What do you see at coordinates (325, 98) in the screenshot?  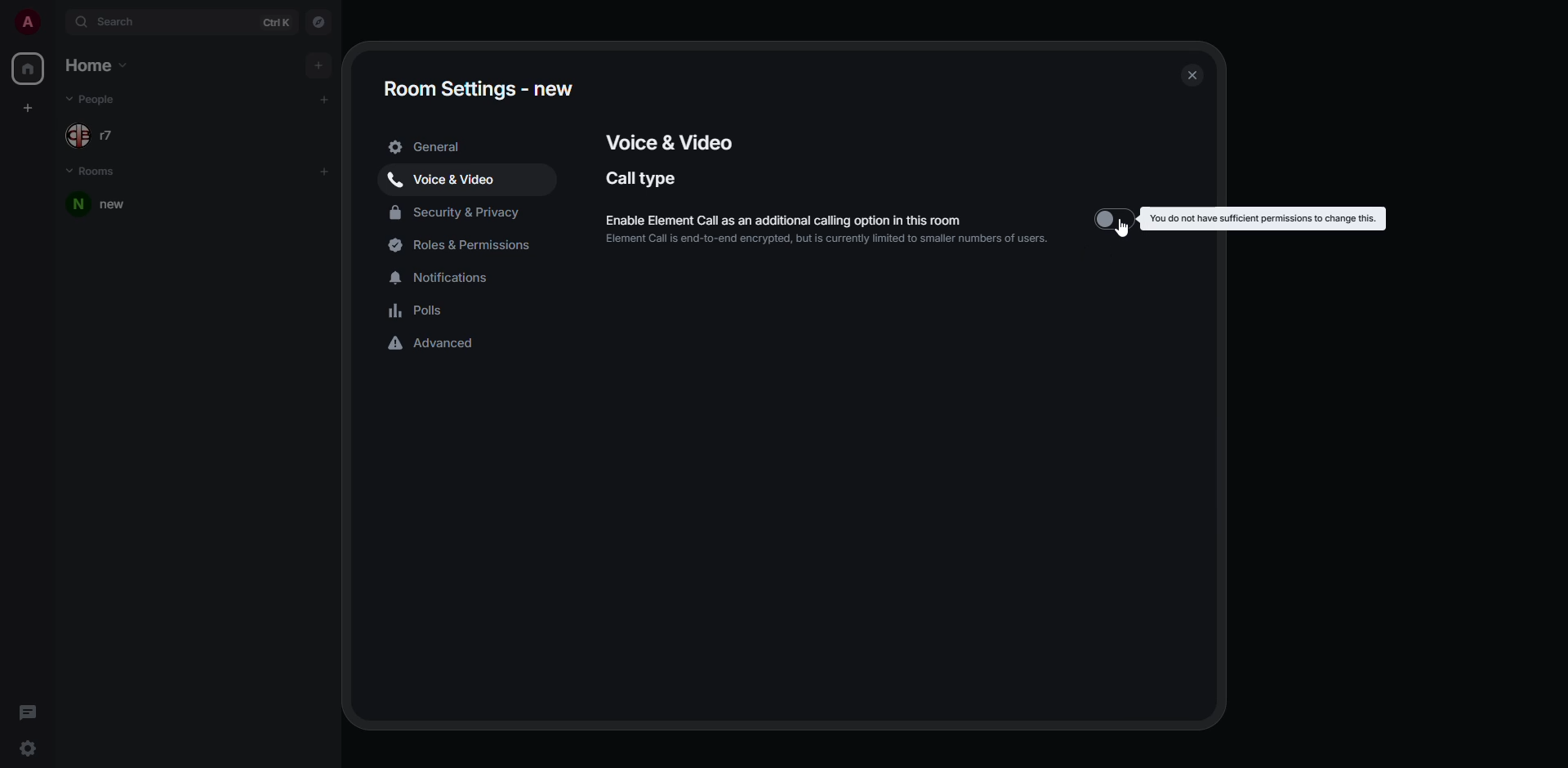 I see `add` at bounding box center [325, 98].